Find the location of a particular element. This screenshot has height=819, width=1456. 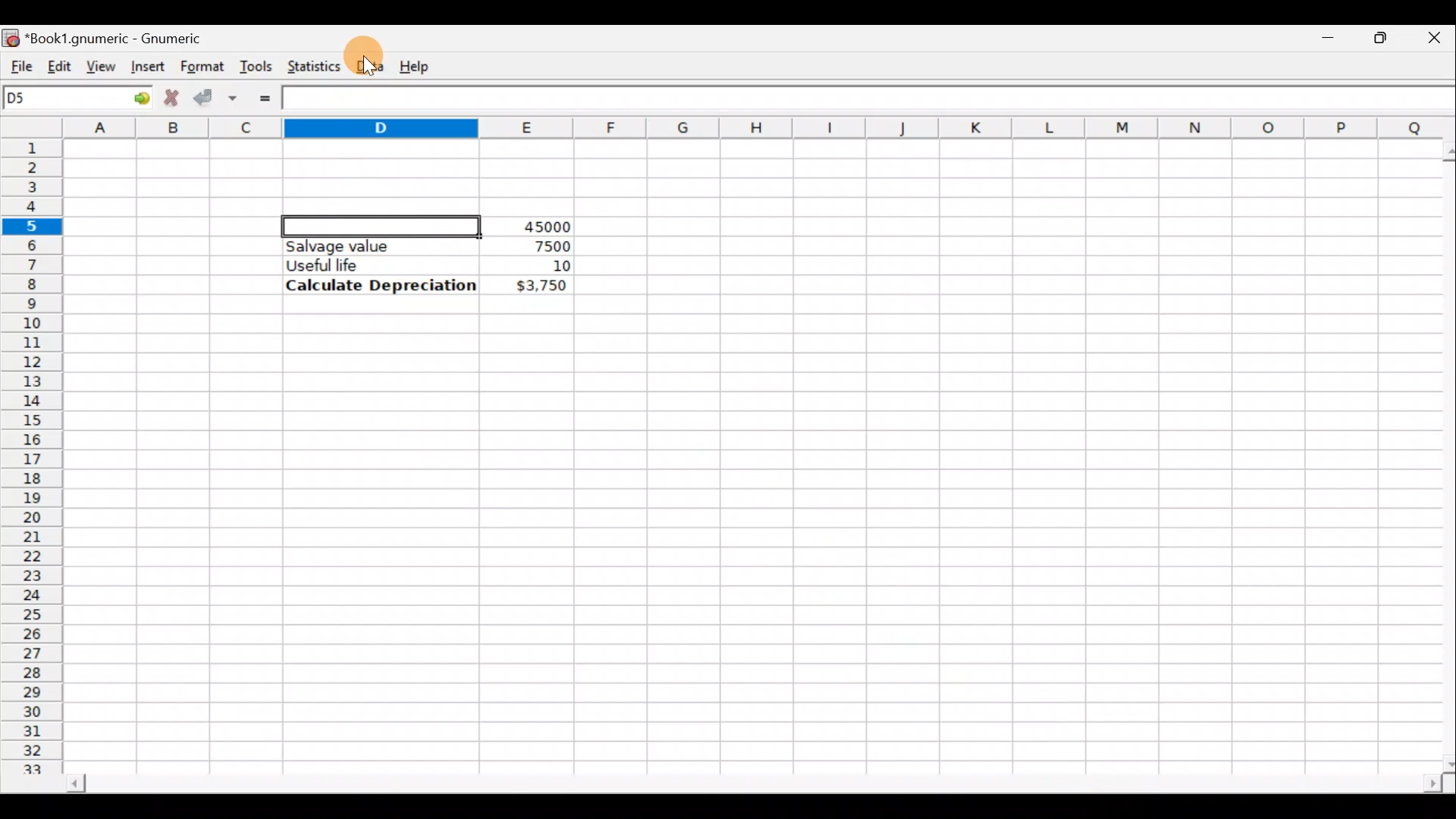

Selected cell is located at coordinates (383, 224).